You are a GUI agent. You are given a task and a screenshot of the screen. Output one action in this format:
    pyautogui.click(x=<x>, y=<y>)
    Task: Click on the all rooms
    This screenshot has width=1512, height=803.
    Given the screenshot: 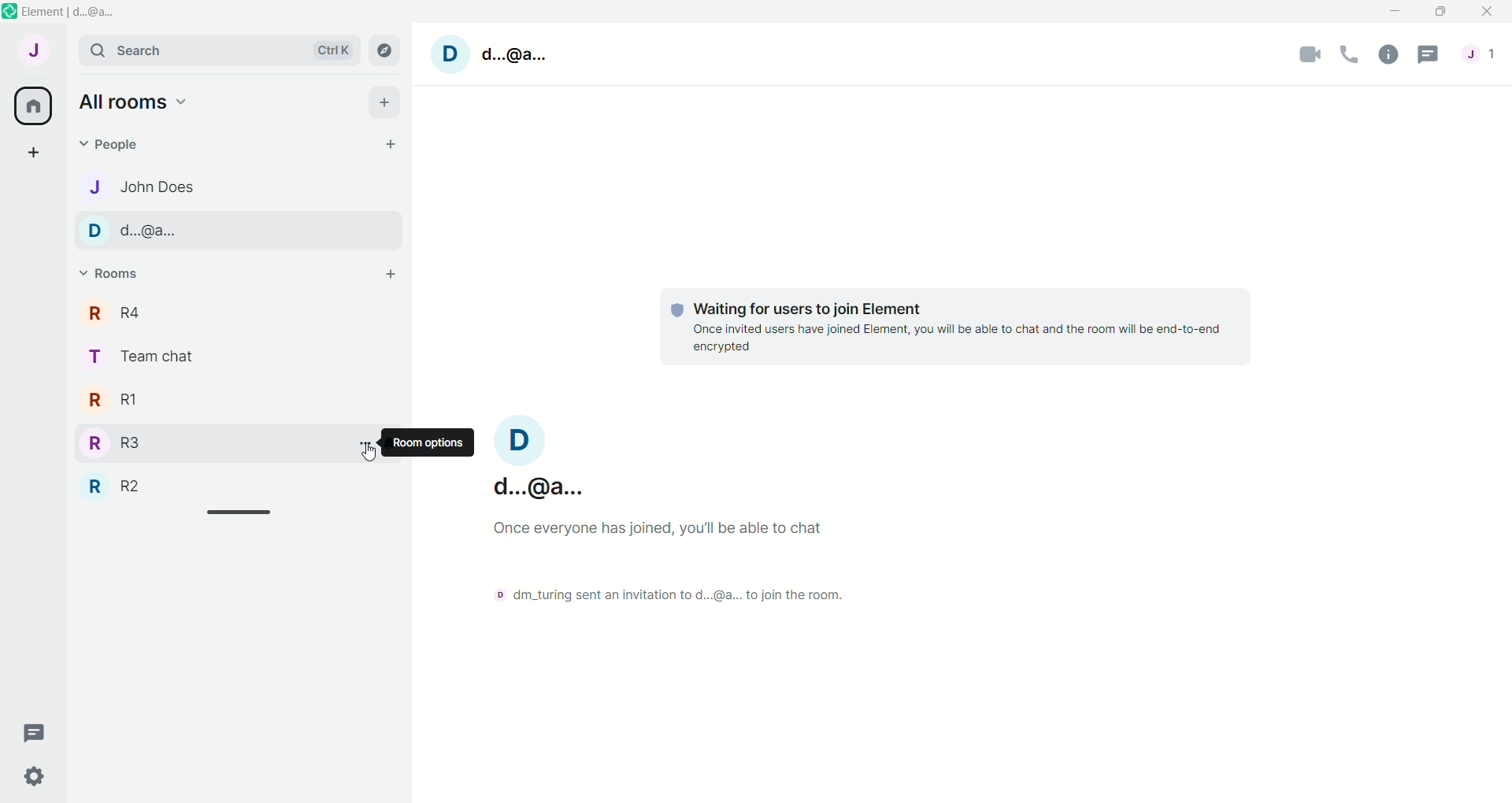 What is the action you would take?
    pyautogui.click(x=35, y=105)
    